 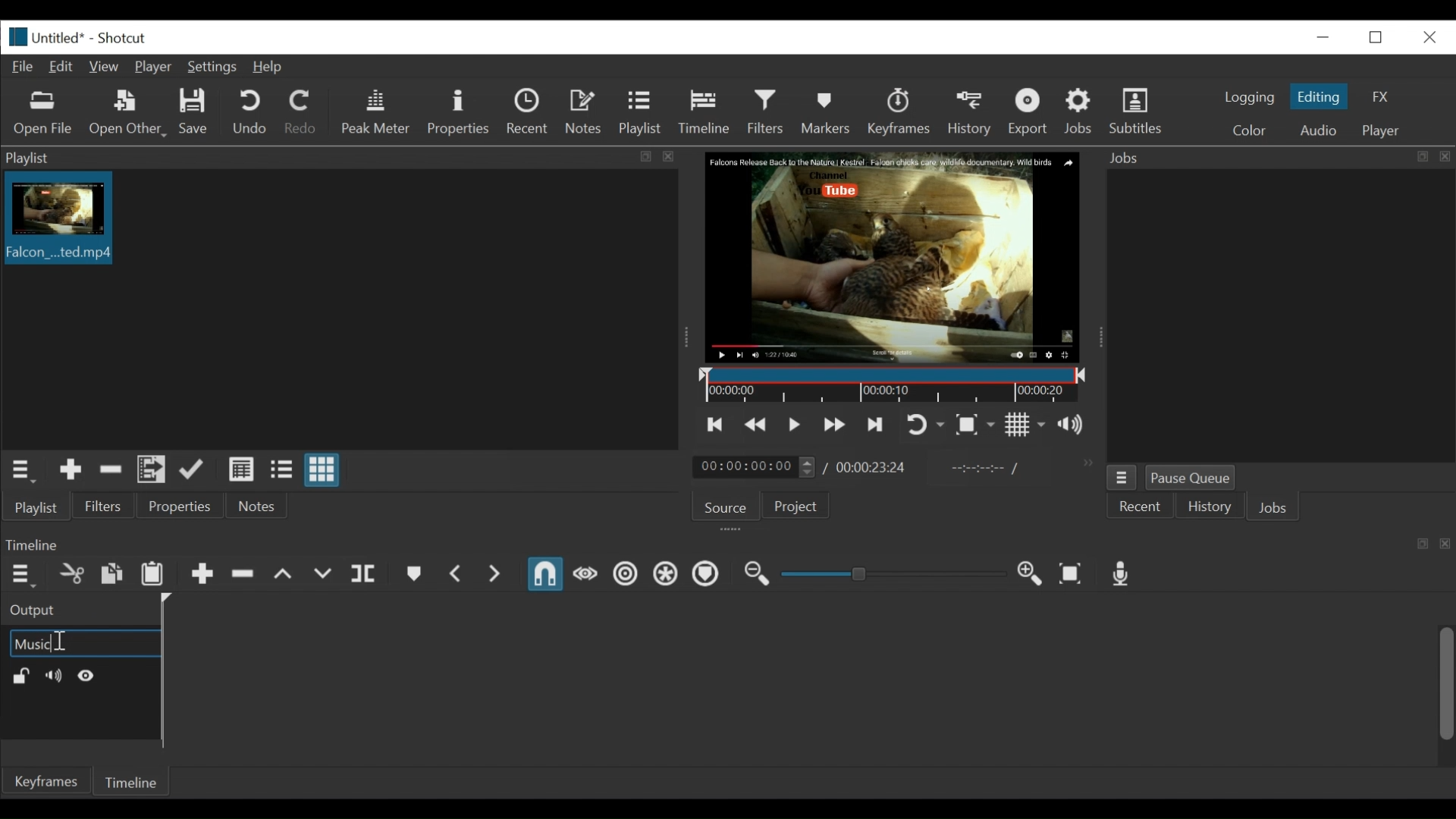 I want to click on Jobs panel, so click(x=1272, y=315).